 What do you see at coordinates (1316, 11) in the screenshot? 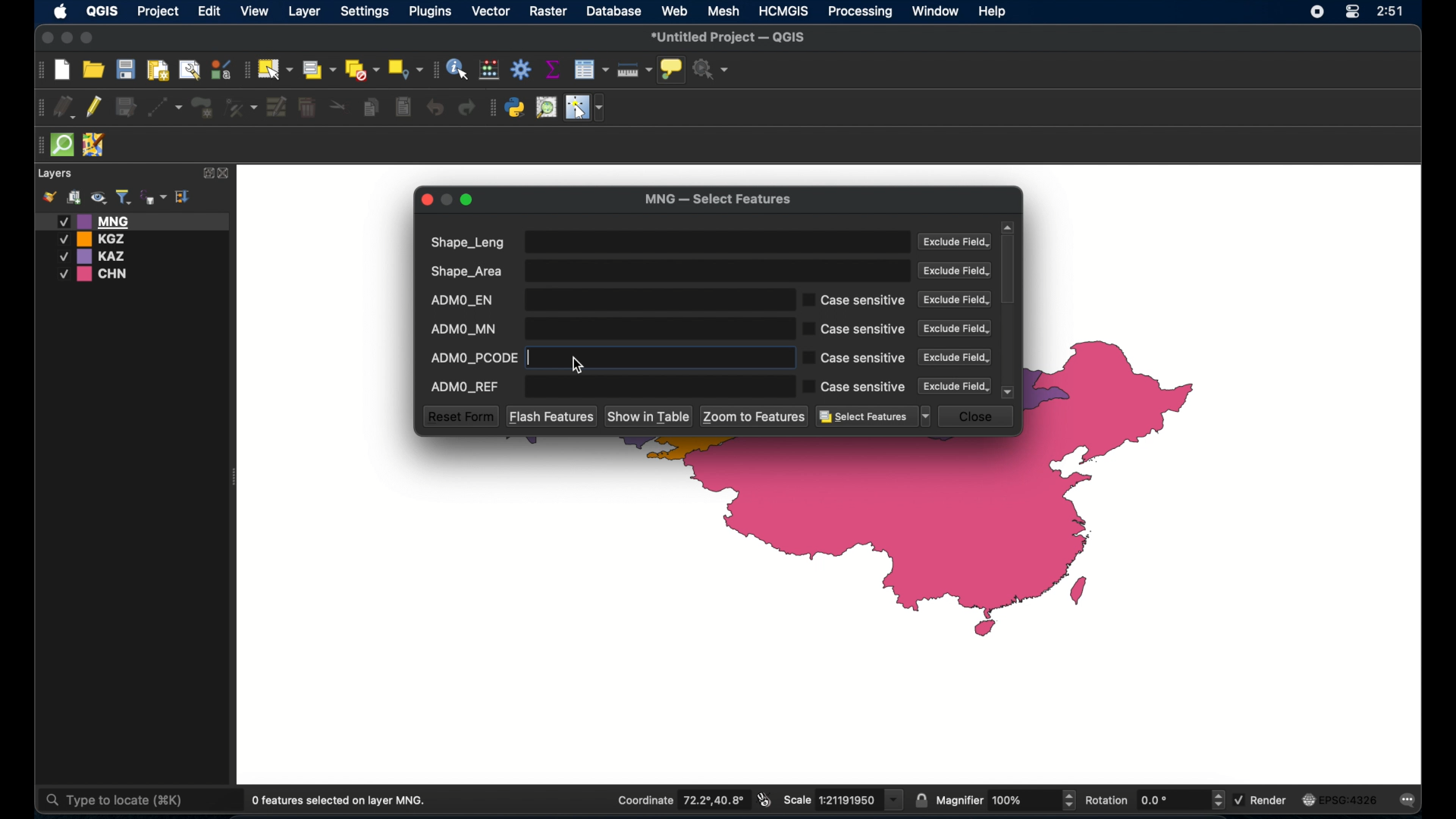
I see `screen recorder` at bounding box center [1316, 11].